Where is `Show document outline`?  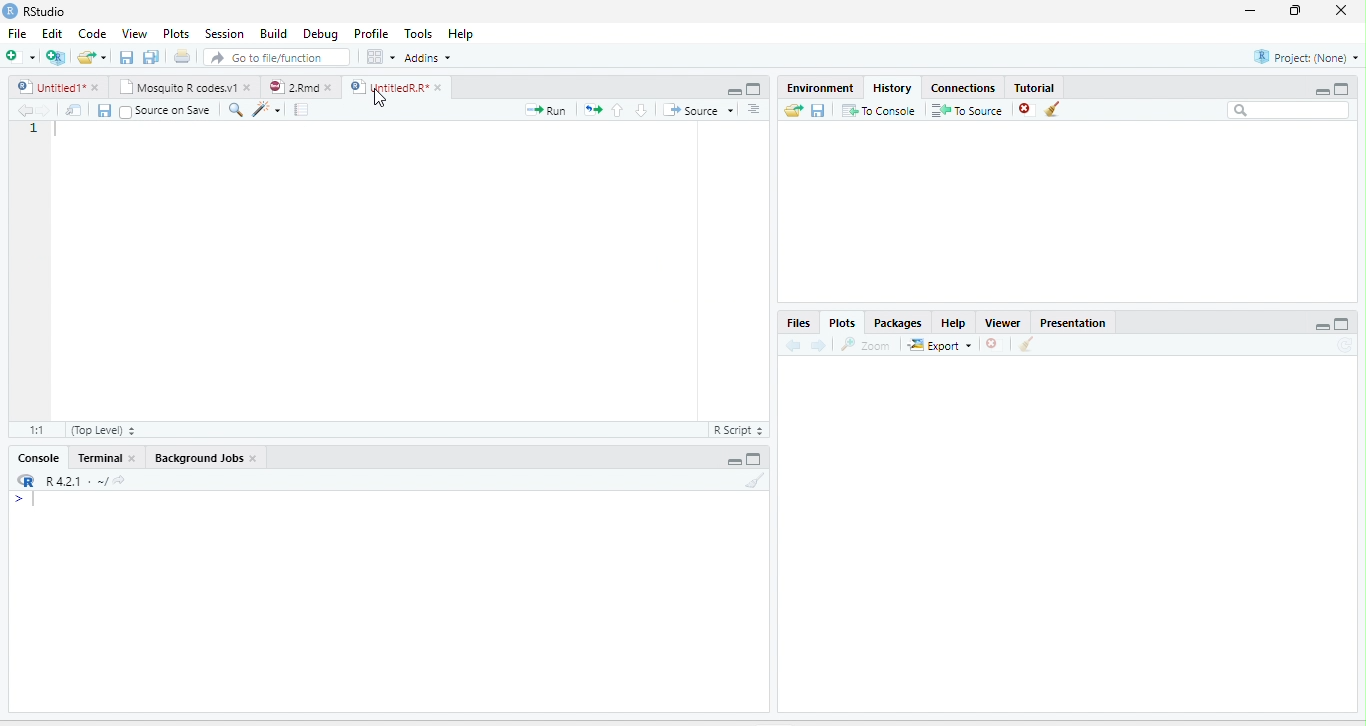 Show document outline is located at coordinates (754, 109).